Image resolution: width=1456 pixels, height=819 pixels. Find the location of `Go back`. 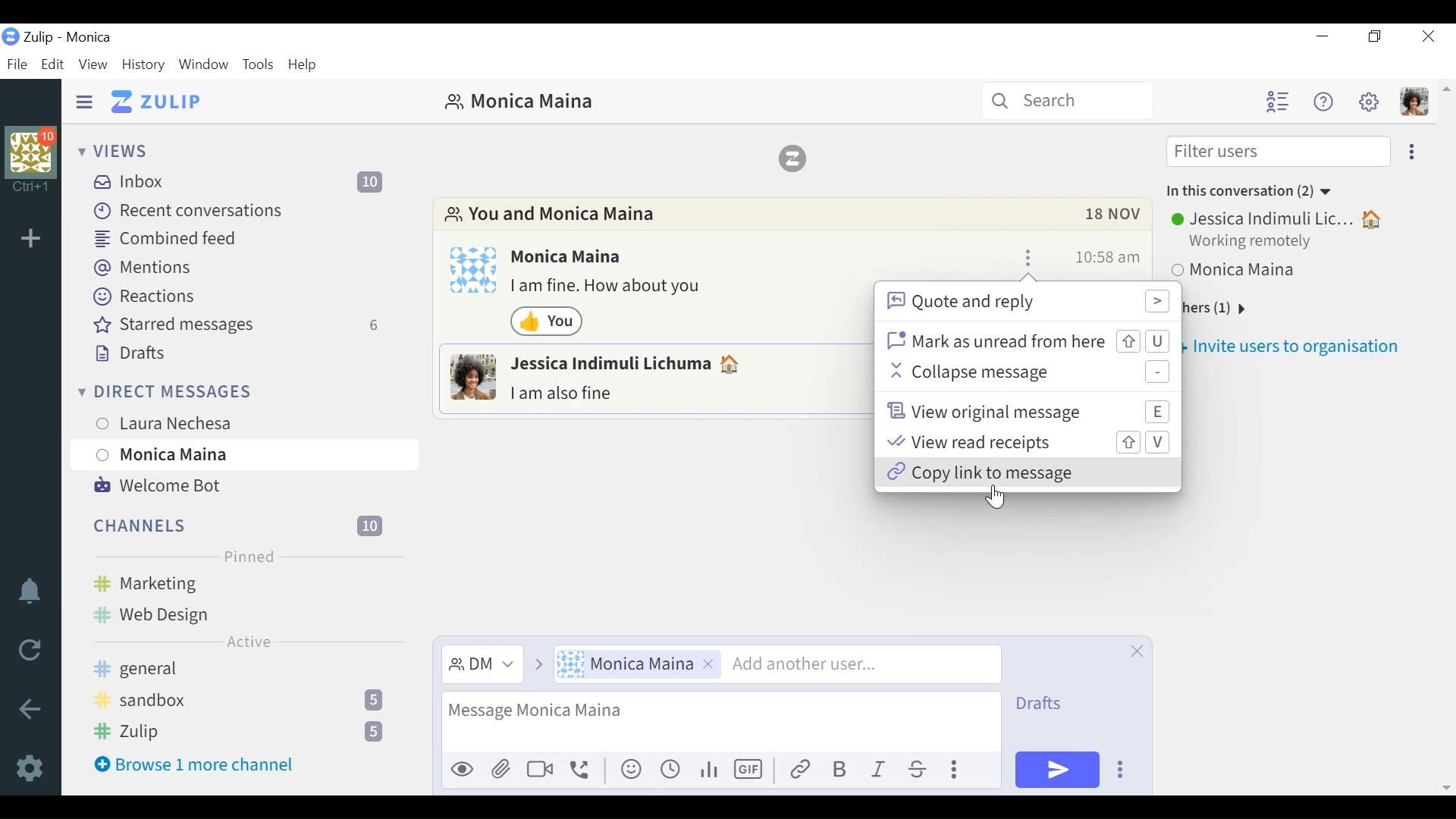

Go back is located at coordinates (28, 709).